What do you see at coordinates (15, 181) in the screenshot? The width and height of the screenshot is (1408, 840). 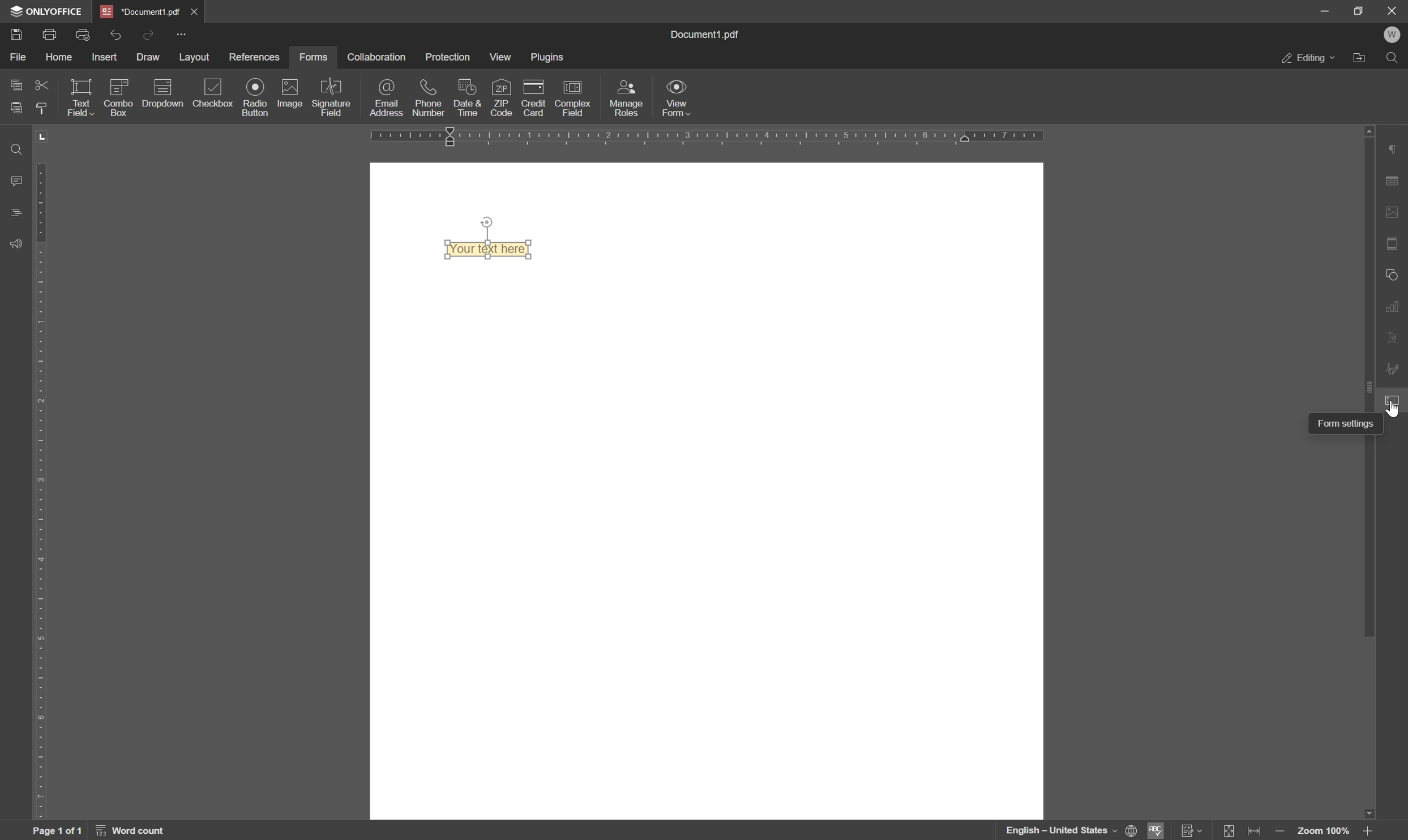 I see `comments` at bounding box center [15, 181].